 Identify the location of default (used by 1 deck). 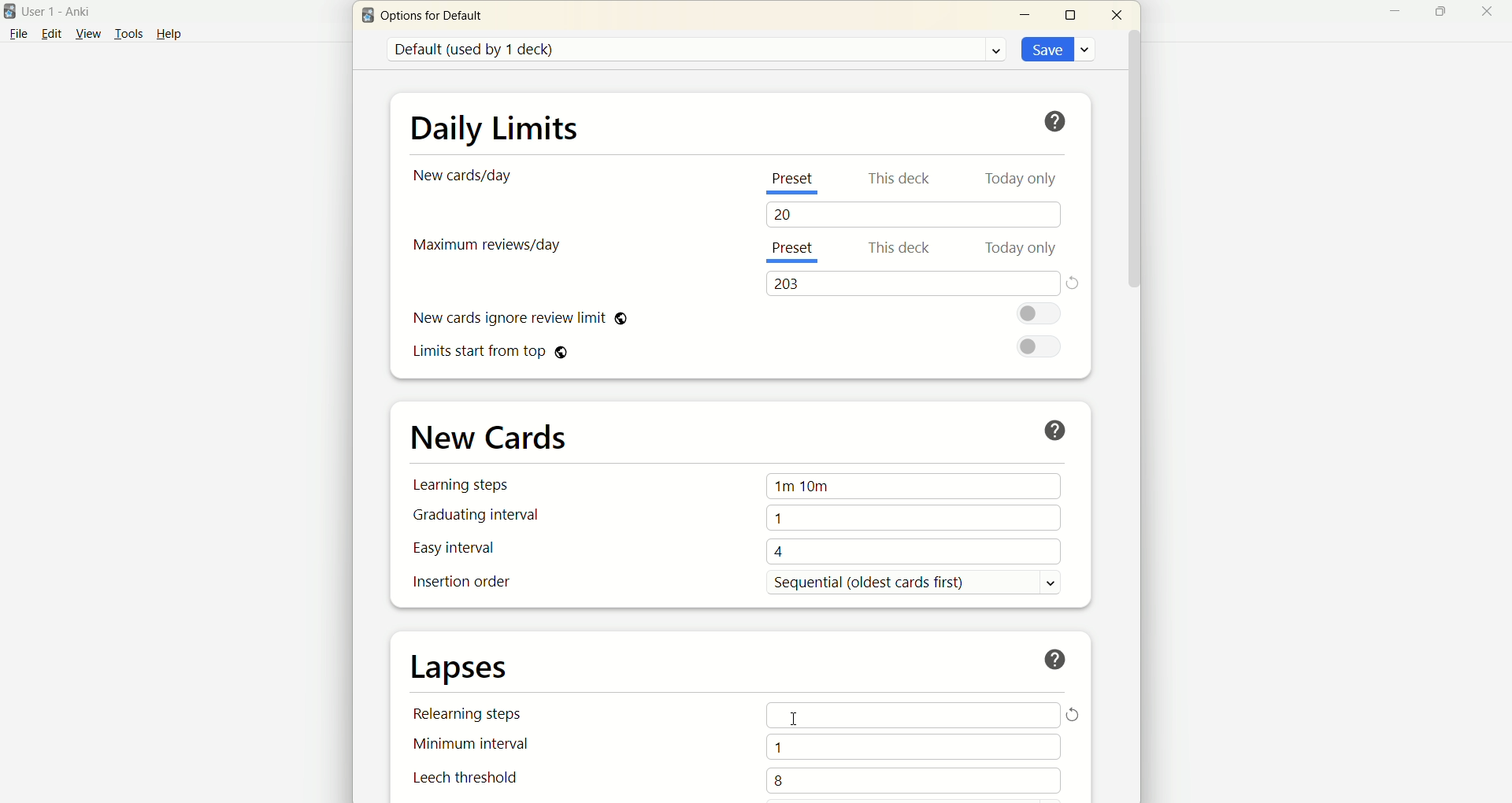
(695, 50).